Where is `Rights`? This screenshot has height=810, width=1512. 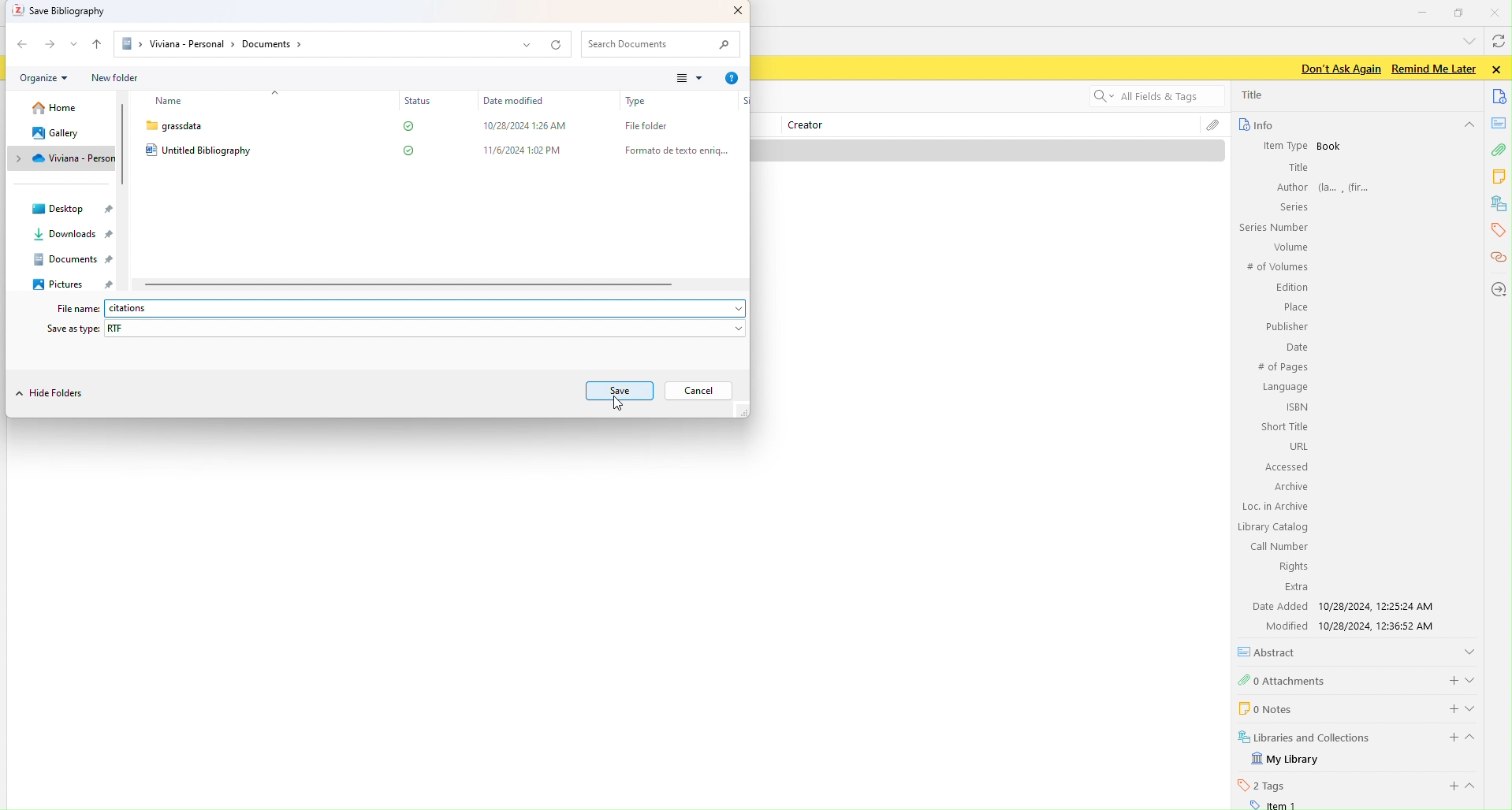
Rights is located at coordinates (1290, 566).